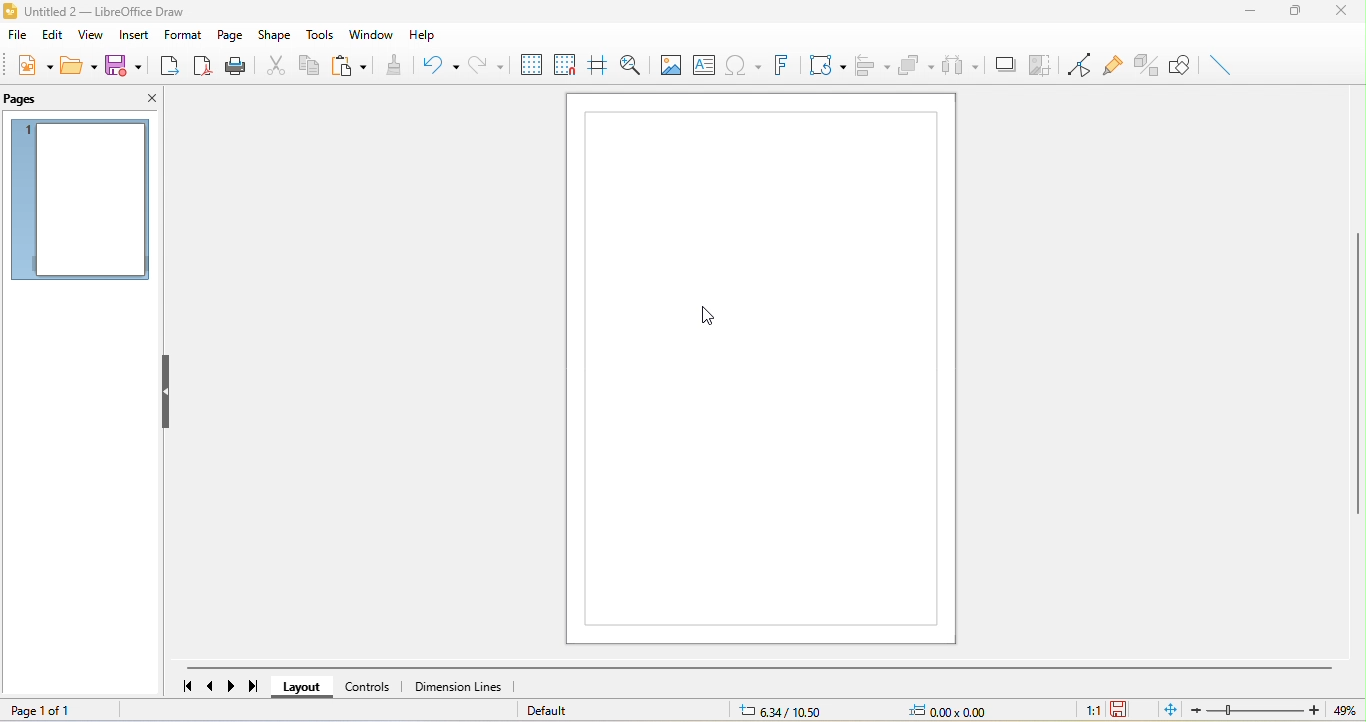  What do you see at coordinates (1181, 62) in the screenshot?
I see `show draw function` at bounding box center [1181, 62].